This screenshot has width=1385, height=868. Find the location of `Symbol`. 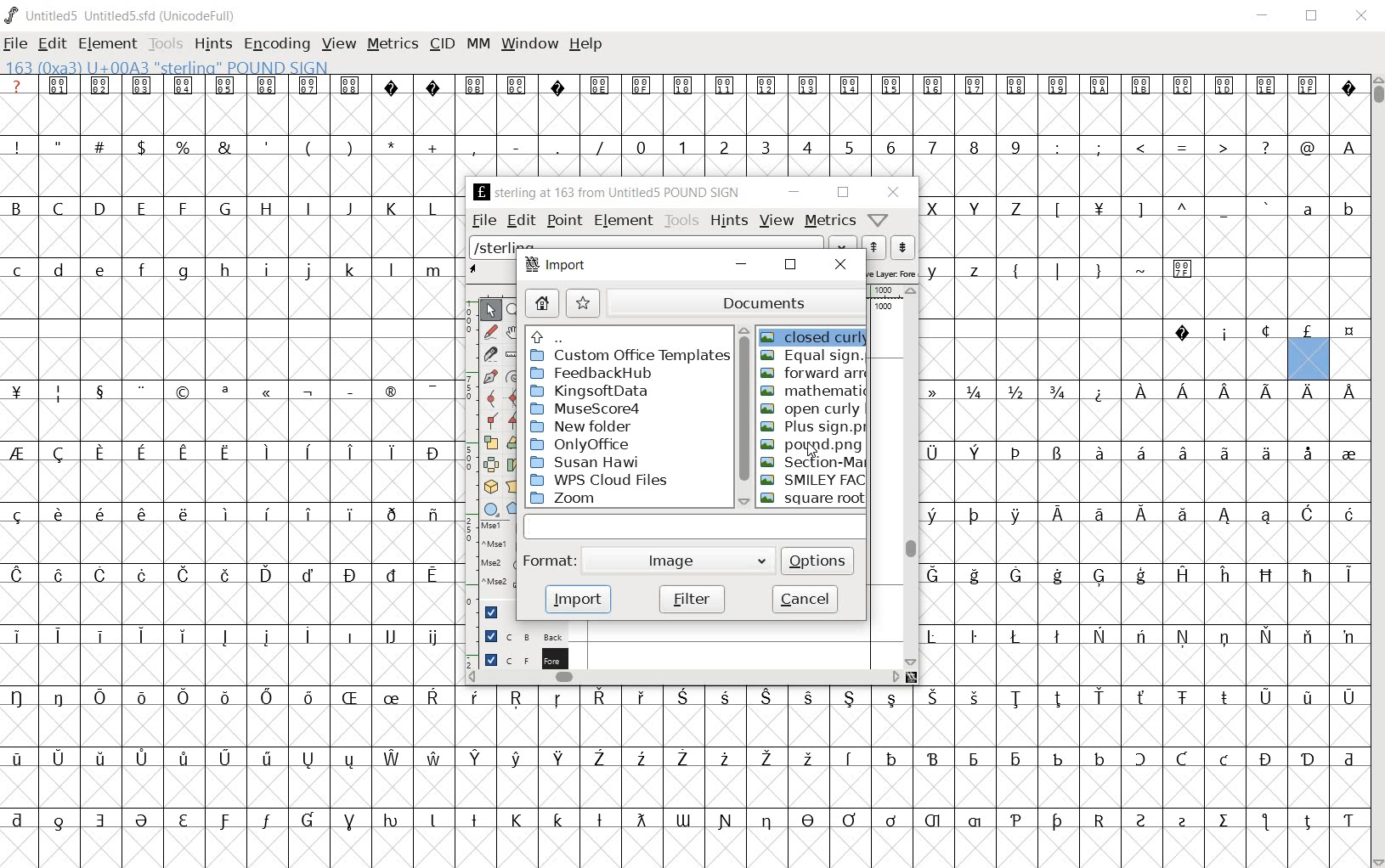

Symbol is located at coordinates (308, 759).